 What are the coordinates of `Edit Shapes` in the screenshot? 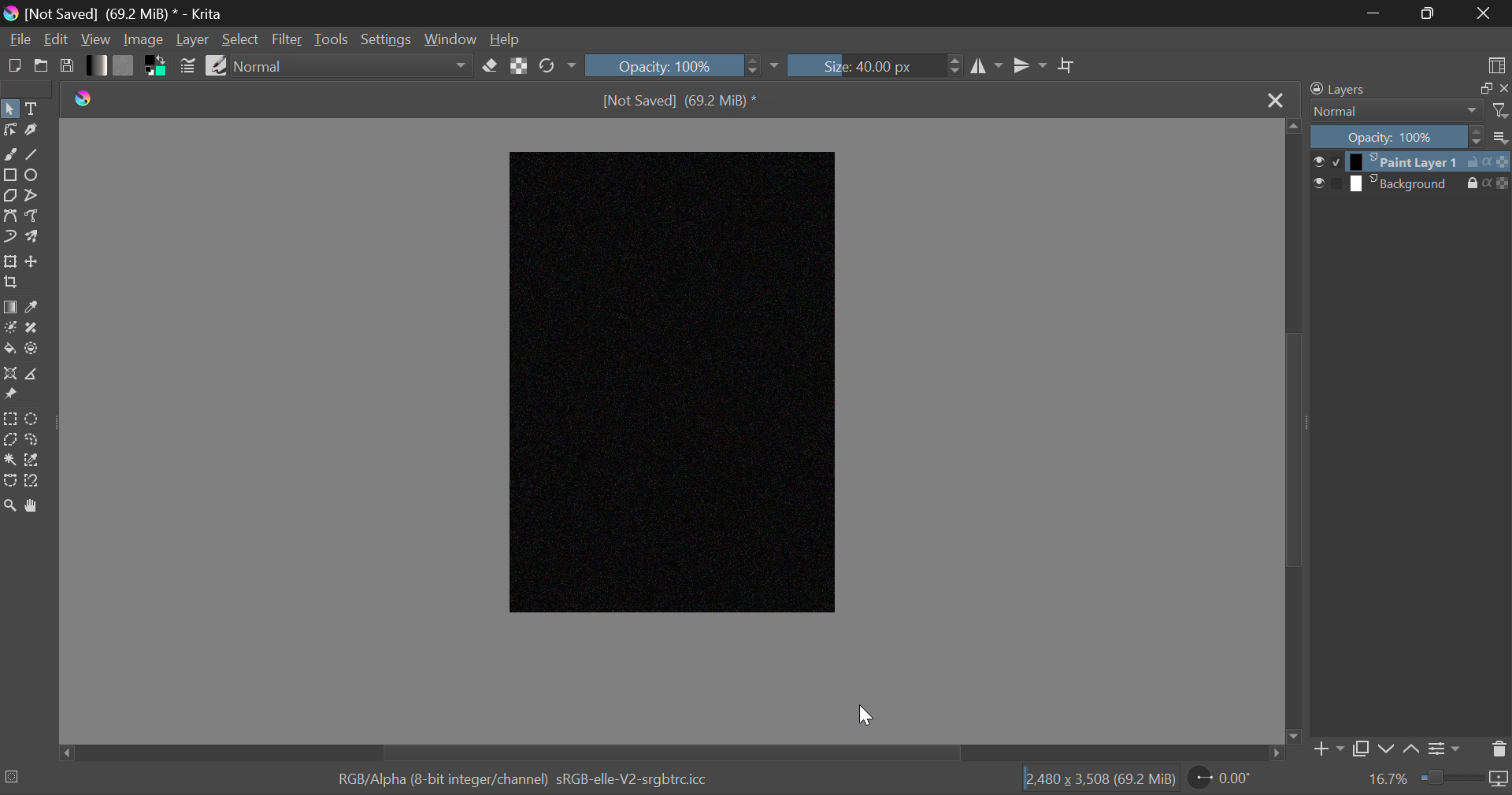 It's located at (9, 133).